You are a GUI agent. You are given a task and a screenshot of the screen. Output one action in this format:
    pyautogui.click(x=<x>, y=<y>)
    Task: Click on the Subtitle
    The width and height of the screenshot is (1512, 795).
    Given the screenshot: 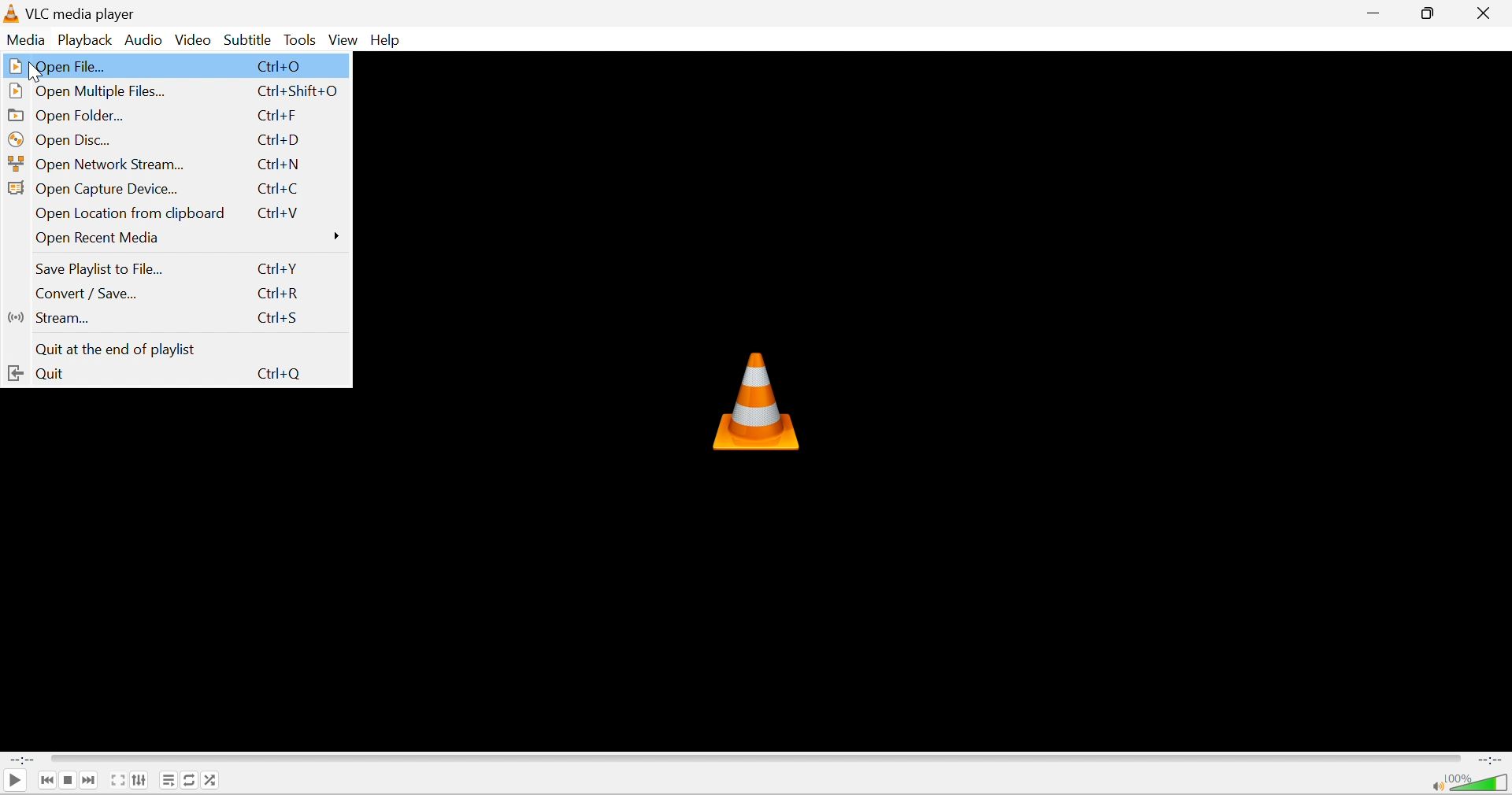 What is the action you would take?
    pyautogui.click(x=249, y=39)
    